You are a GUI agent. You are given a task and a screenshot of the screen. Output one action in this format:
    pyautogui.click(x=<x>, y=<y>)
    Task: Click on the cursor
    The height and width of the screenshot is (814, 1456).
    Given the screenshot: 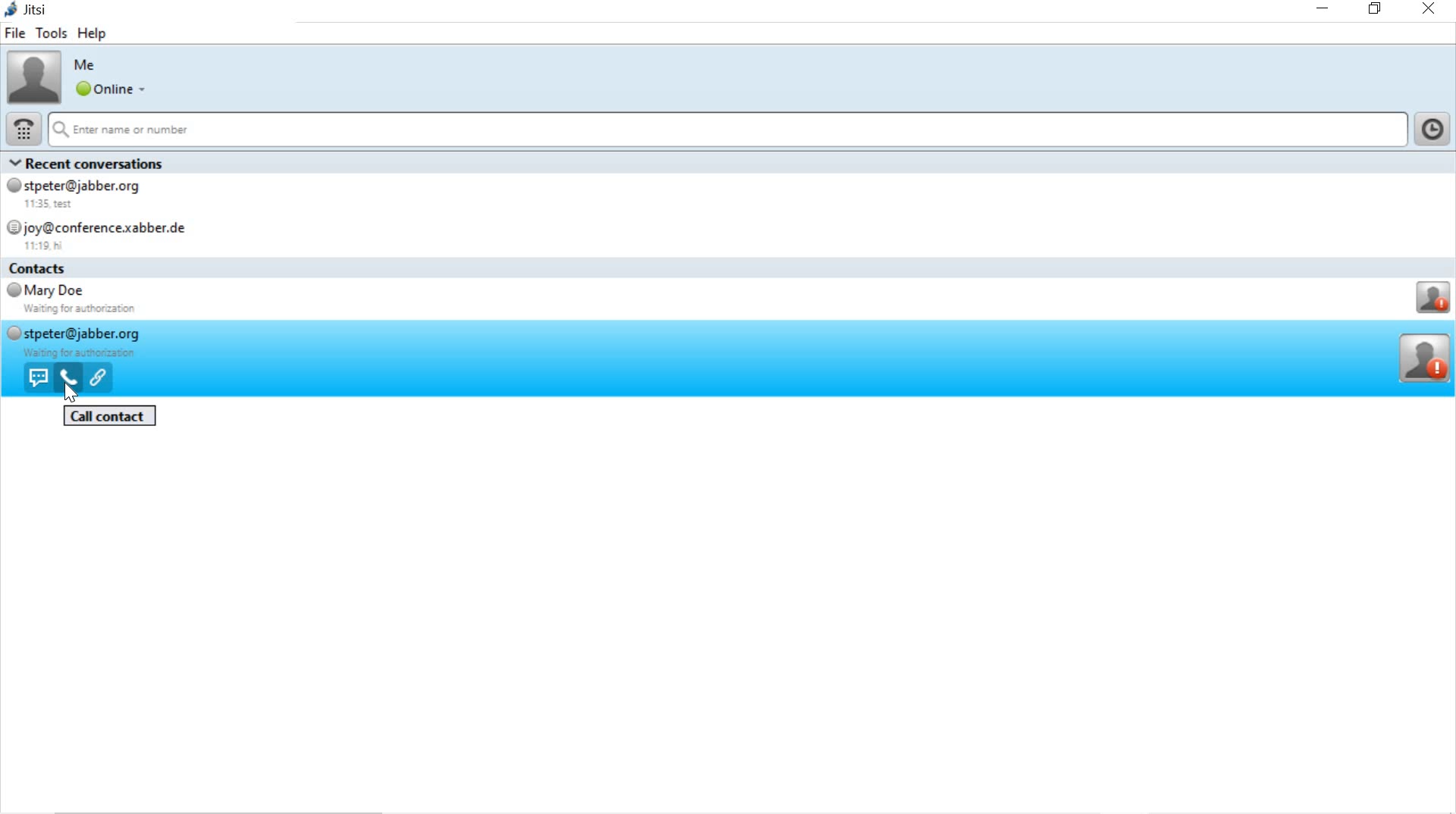 What is the action you would take?
    pyautogui.click(x=71, y=393)
    